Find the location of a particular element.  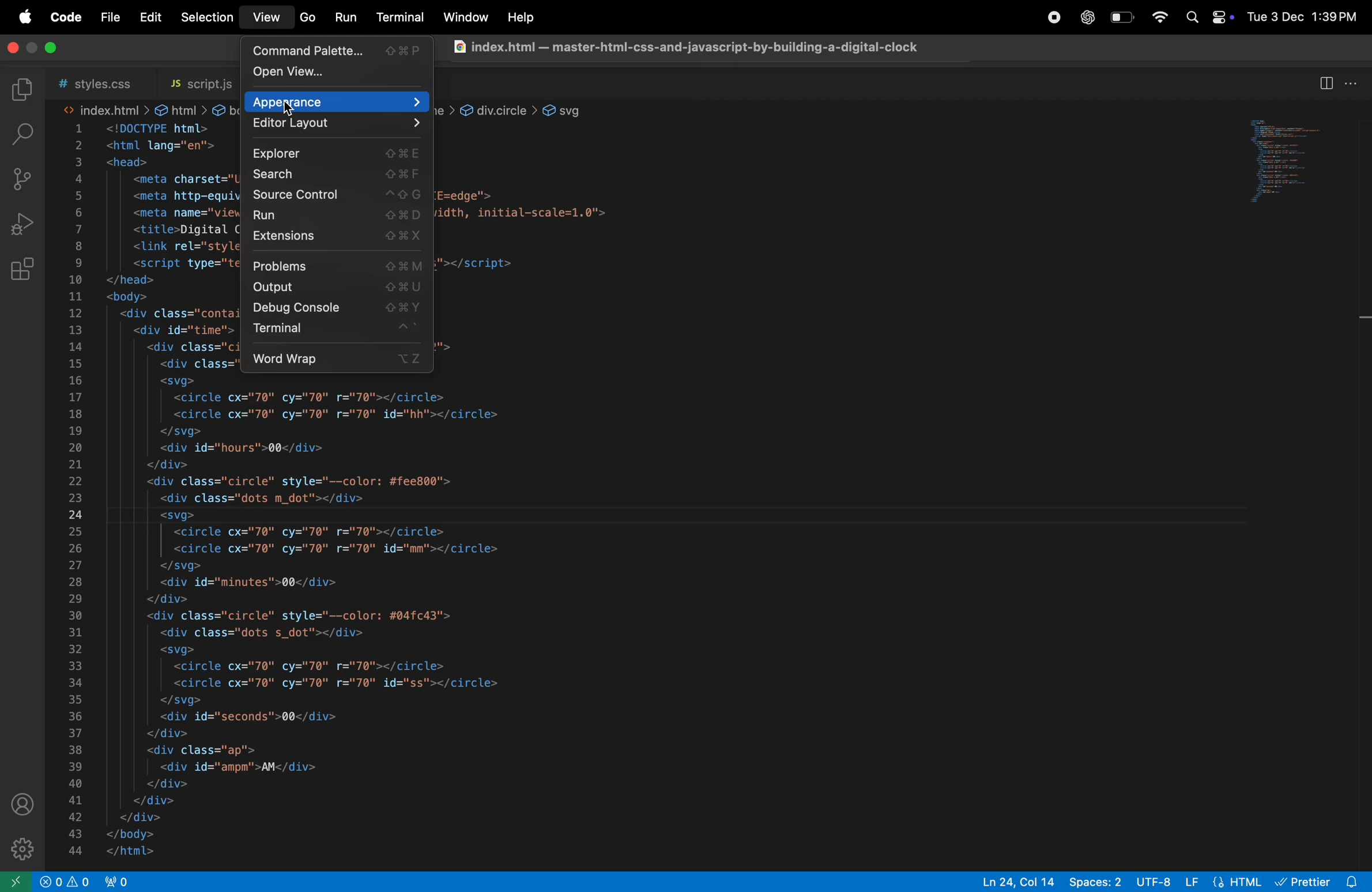

ln col is located at coordinates (1011, 882).